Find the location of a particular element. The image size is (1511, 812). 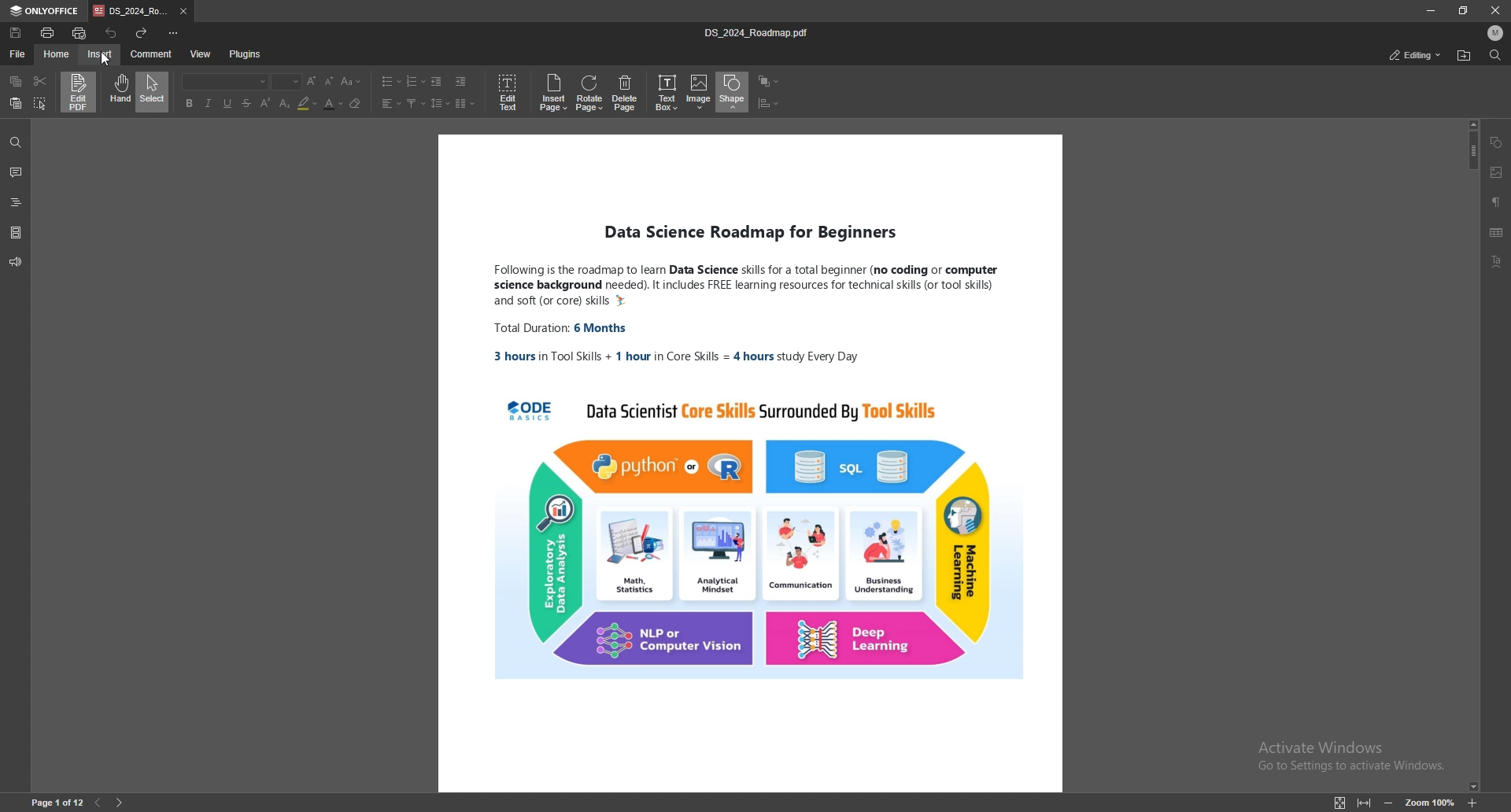

customize quick access toolbar is located at coordinates (174, 33).